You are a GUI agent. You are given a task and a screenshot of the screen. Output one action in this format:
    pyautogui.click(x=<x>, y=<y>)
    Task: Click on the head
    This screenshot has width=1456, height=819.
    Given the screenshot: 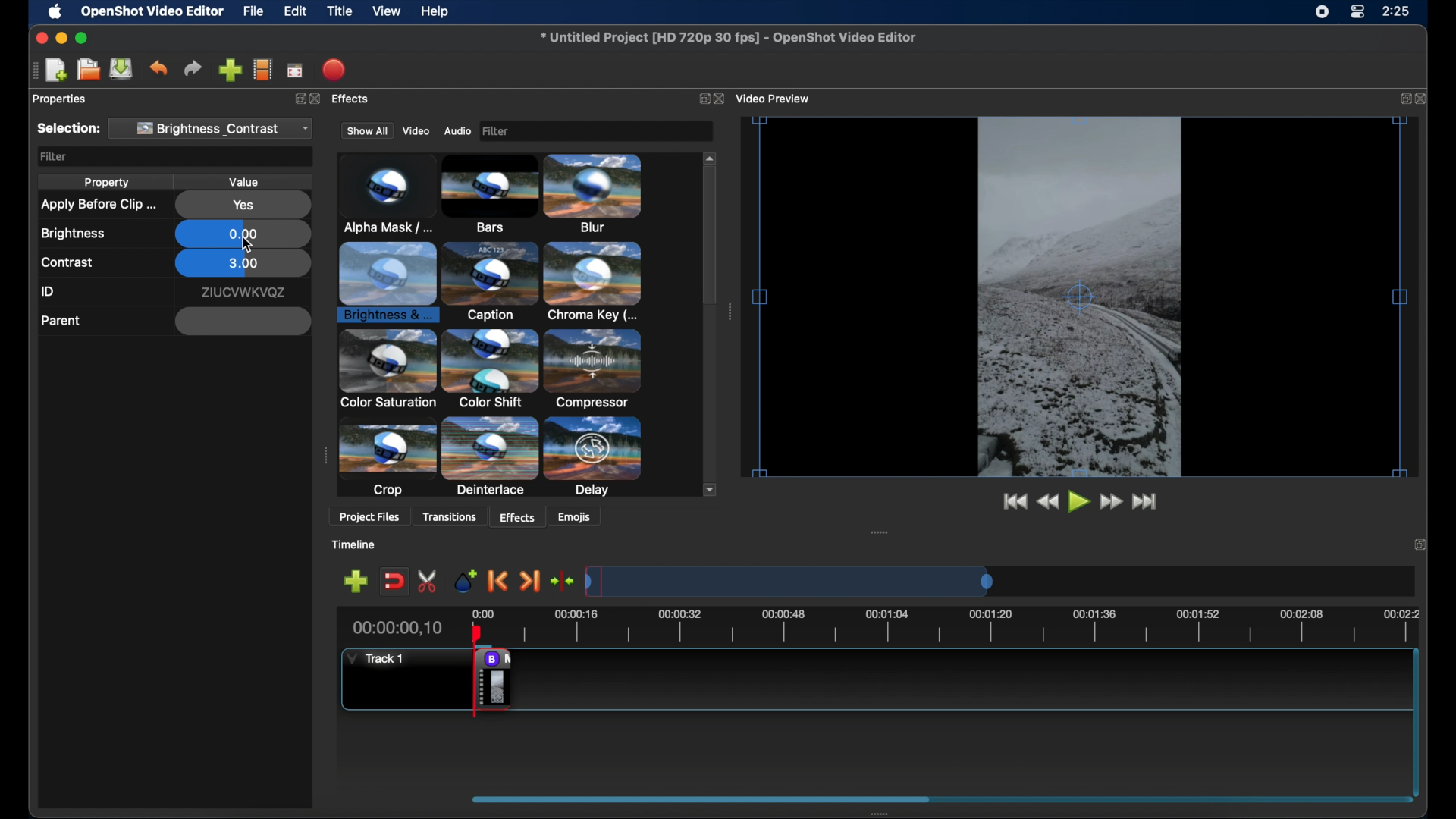 What is the action you would take?
    pyautogui.click(x=479, y=635)
    